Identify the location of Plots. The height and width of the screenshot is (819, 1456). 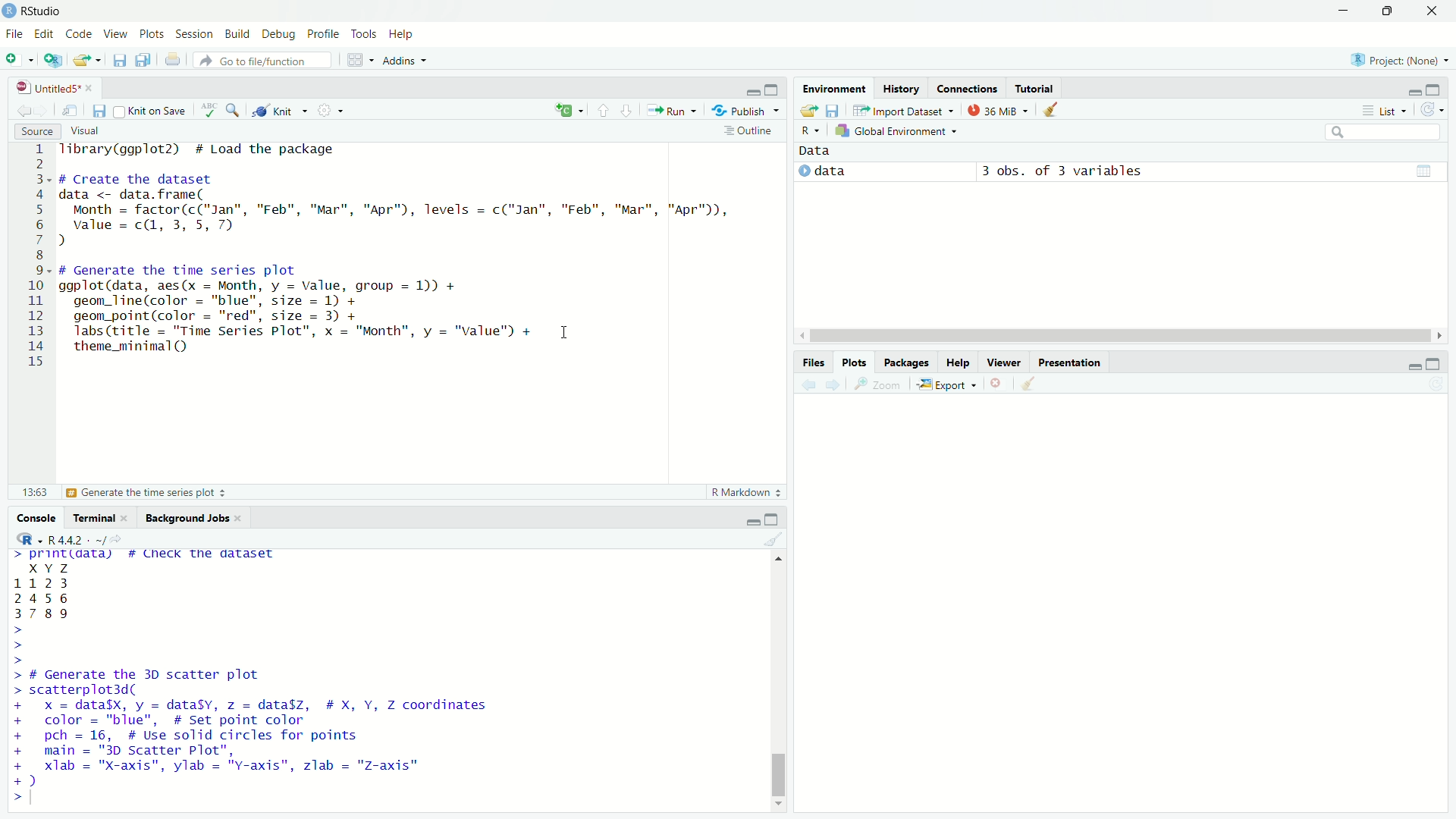
(151, 34).